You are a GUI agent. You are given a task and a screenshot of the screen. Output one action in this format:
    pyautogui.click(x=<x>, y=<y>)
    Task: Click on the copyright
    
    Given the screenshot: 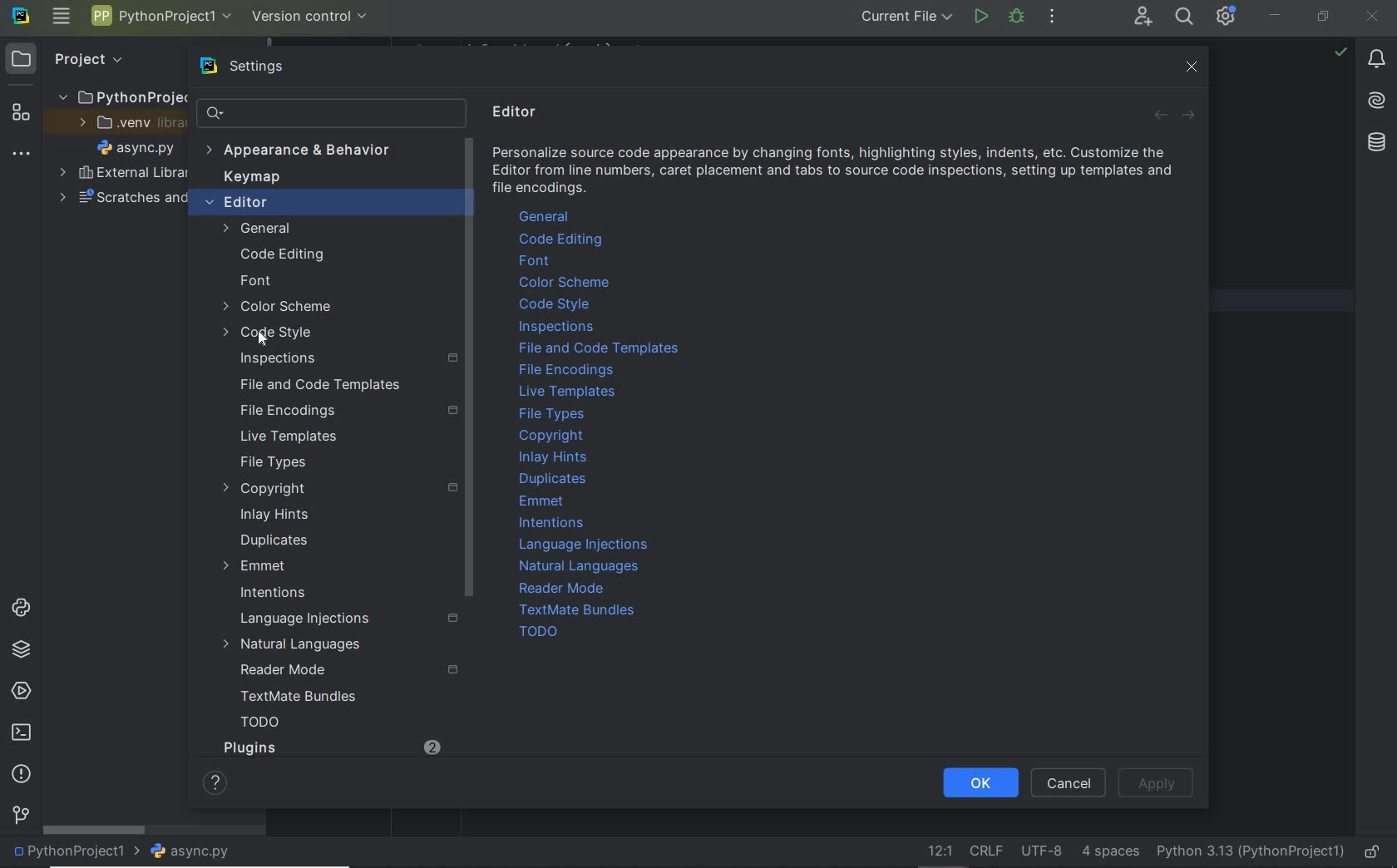 What is the action you would take?
    pyautogui.click(x=553, y=437)
    